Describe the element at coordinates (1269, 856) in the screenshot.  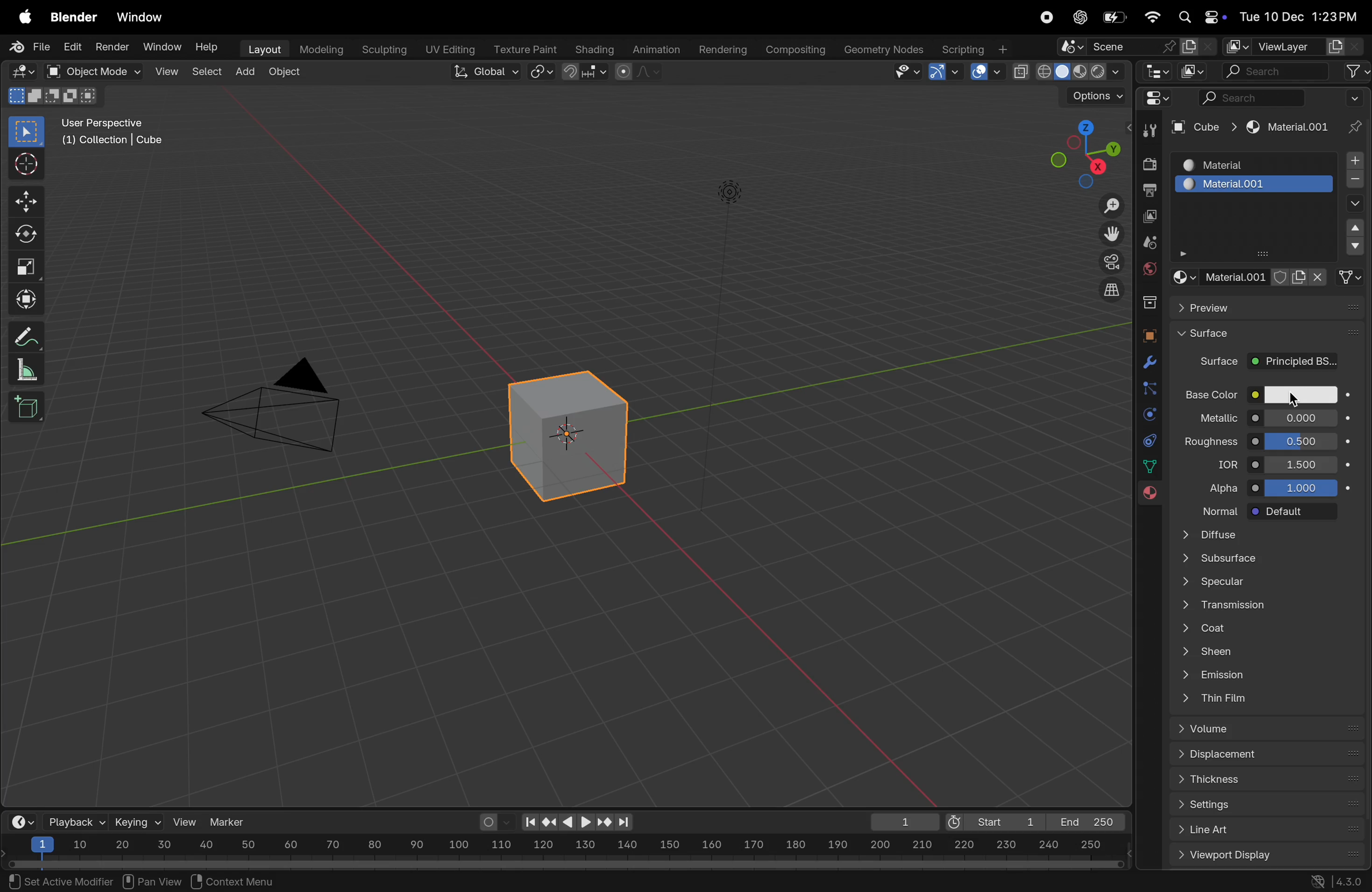
I see `view port display` at that location.